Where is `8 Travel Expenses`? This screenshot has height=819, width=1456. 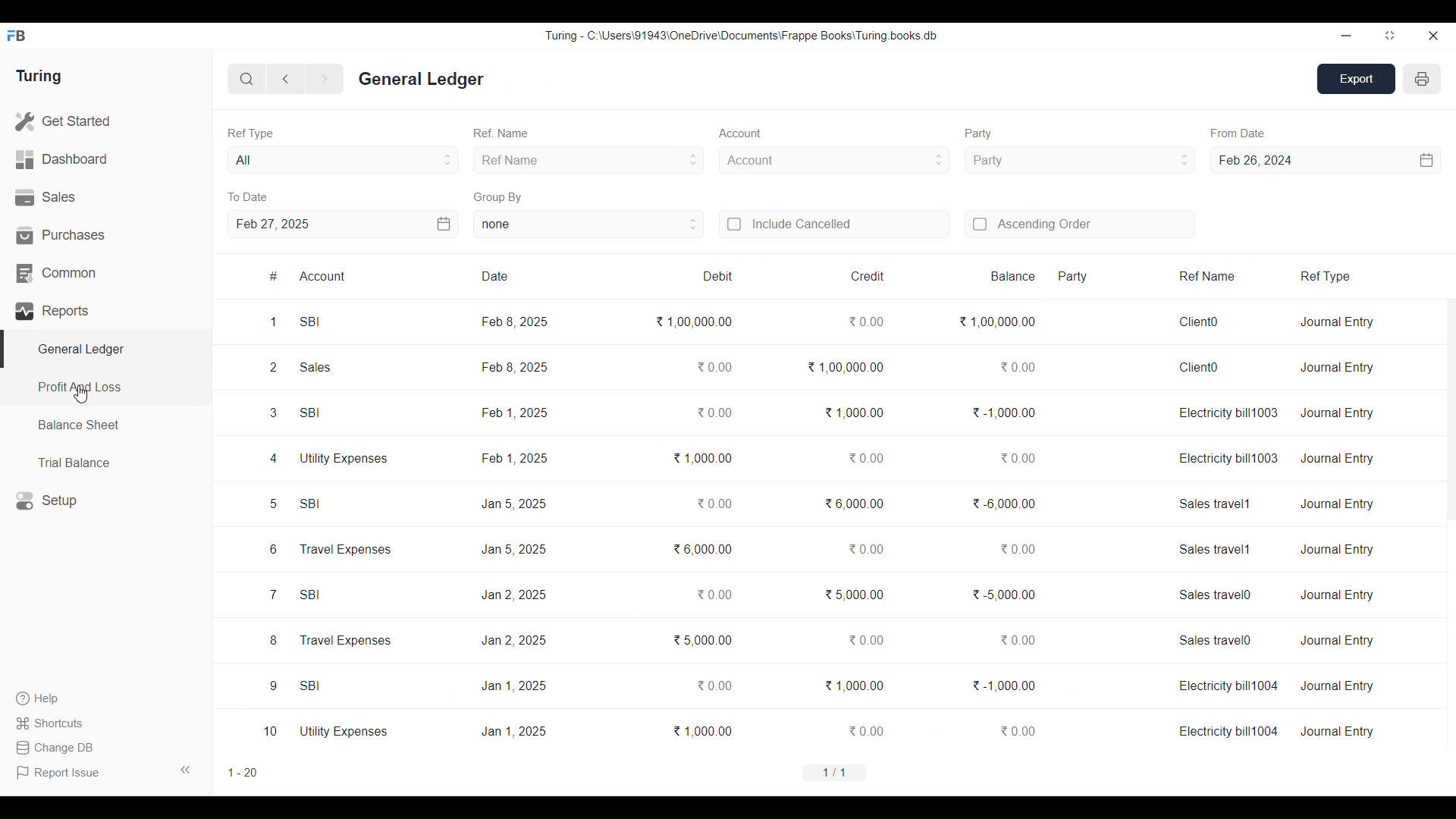 8 Travel Expenses is located at coordinates (330, 640).